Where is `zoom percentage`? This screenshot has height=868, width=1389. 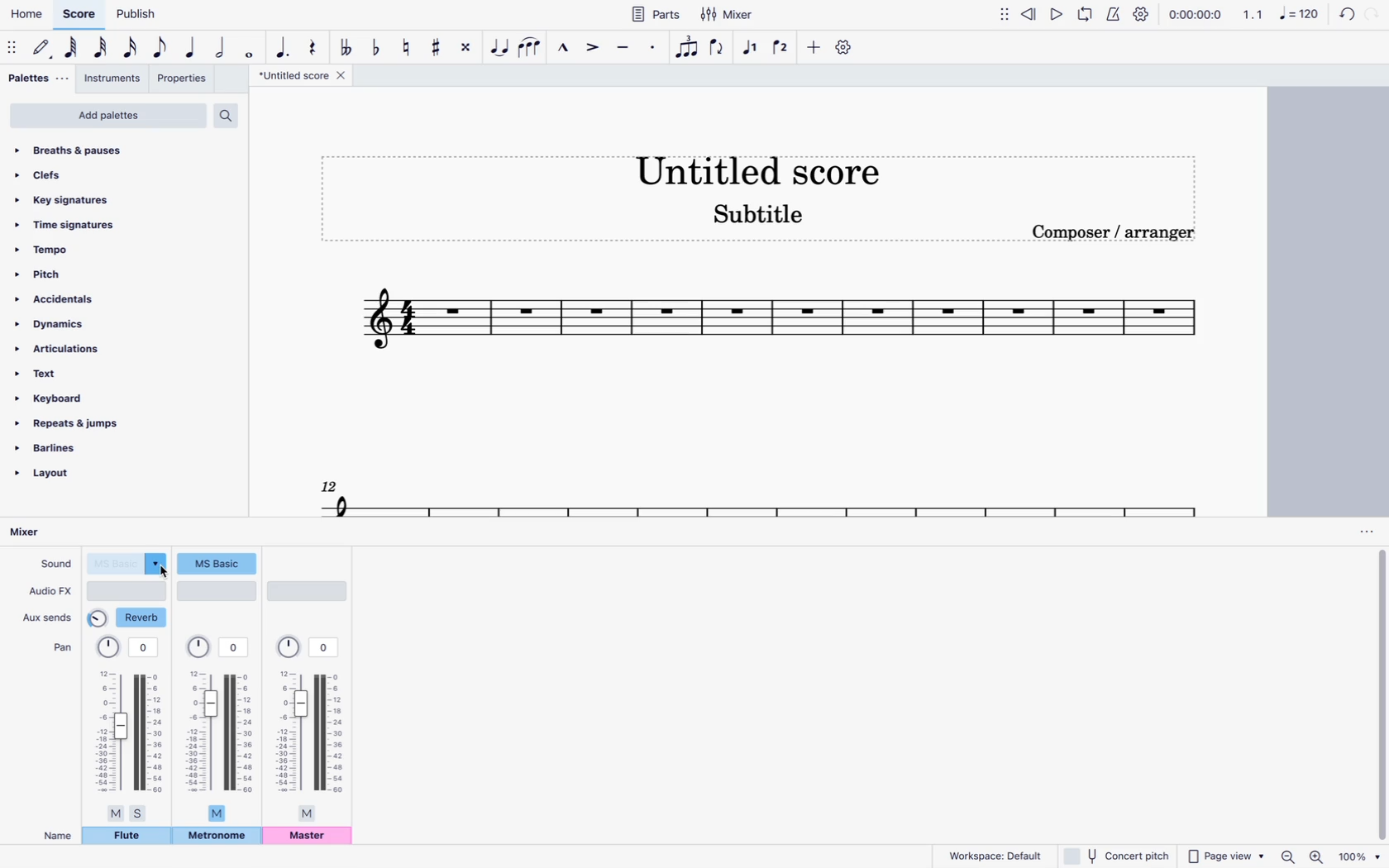 zoom percentage is located at coordinates (1362, 856).